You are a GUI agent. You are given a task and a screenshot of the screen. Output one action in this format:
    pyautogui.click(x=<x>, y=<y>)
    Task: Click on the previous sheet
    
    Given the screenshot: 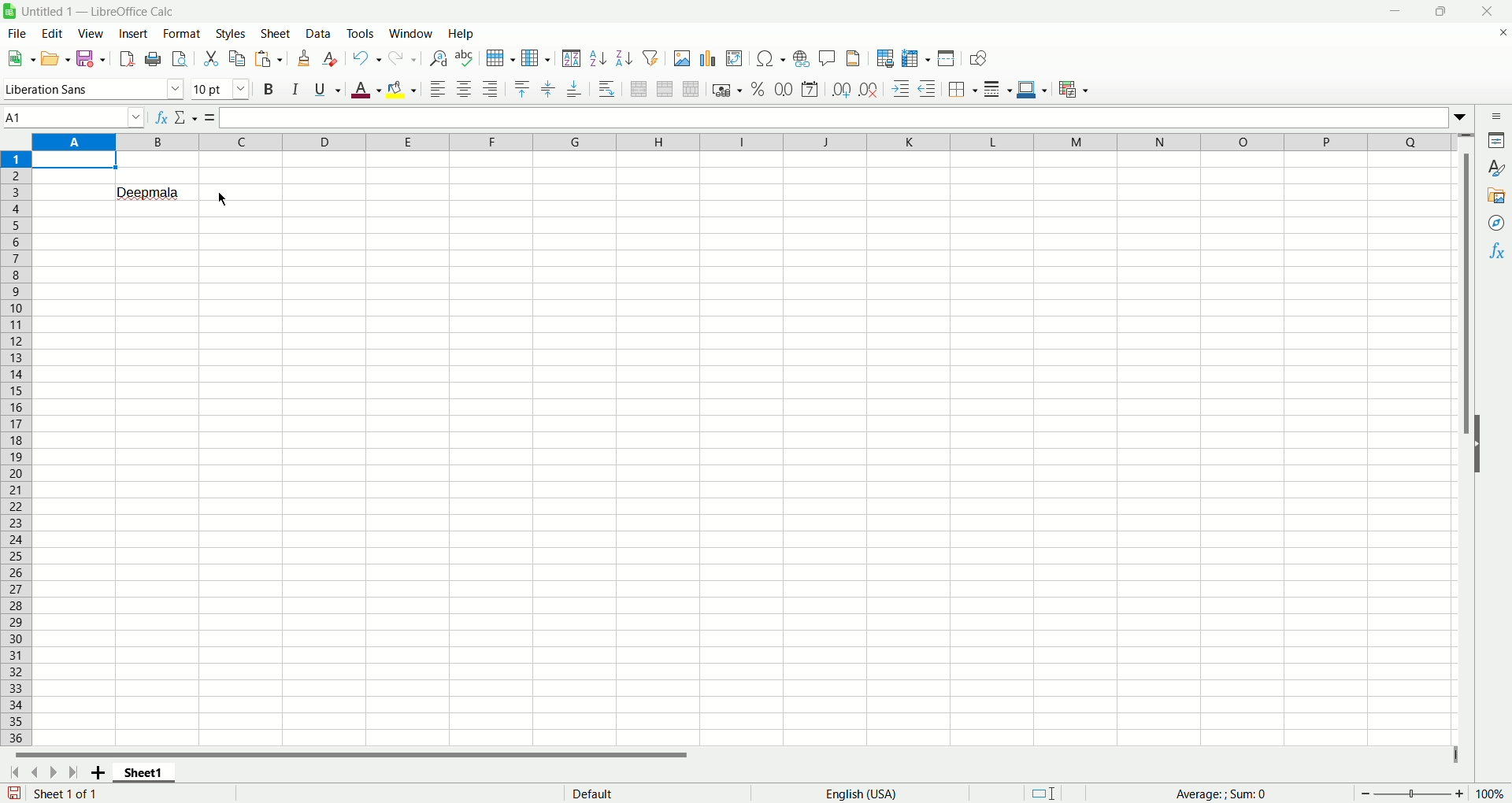 What is the action you would take?
    pyautogui.click(x=34, y=774)
    